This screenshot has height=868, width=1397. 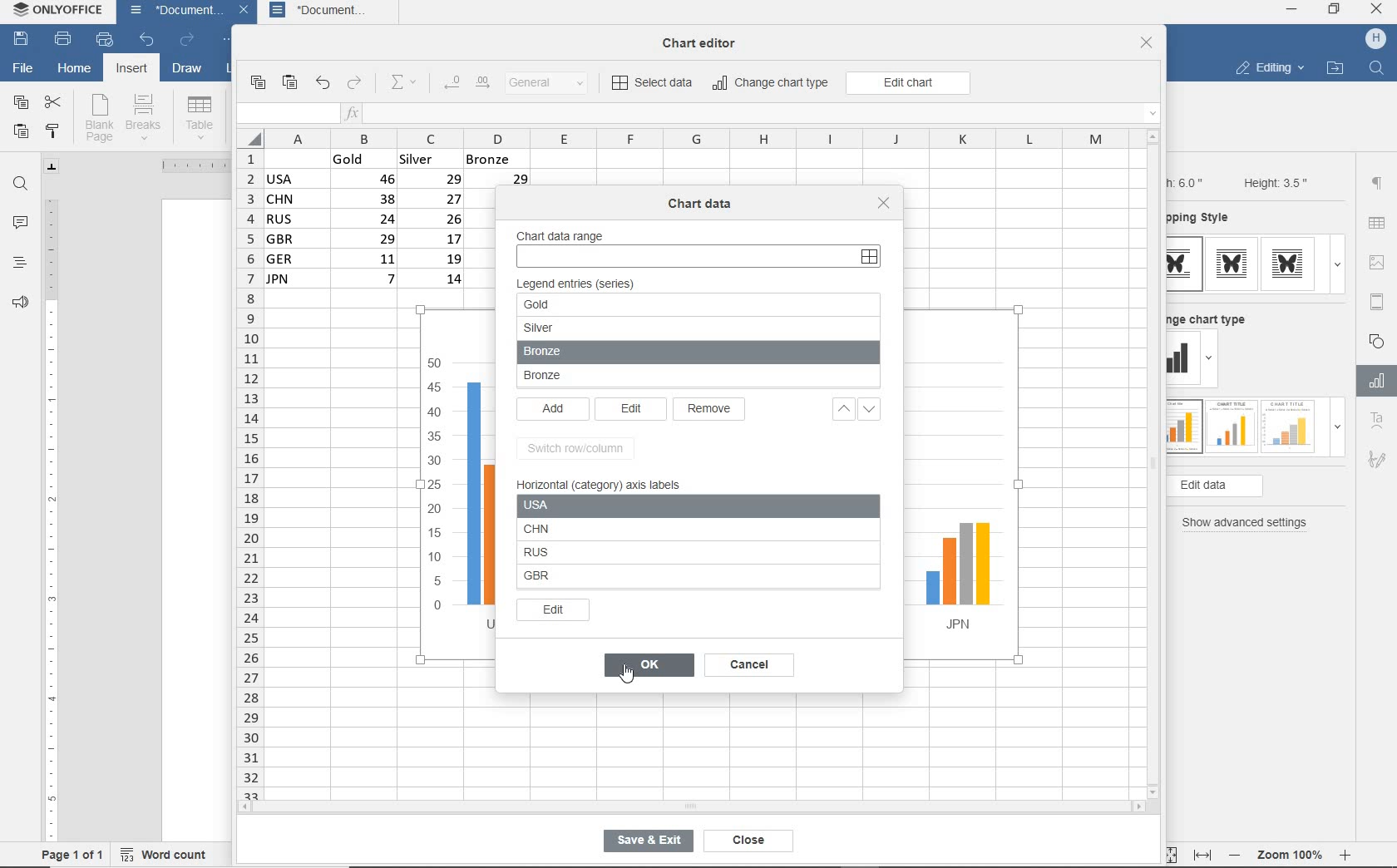 What do you see at coordinates (1249, 523) in the screenshot?
I see `show advanced settings` at bounding box center [1249, 523].